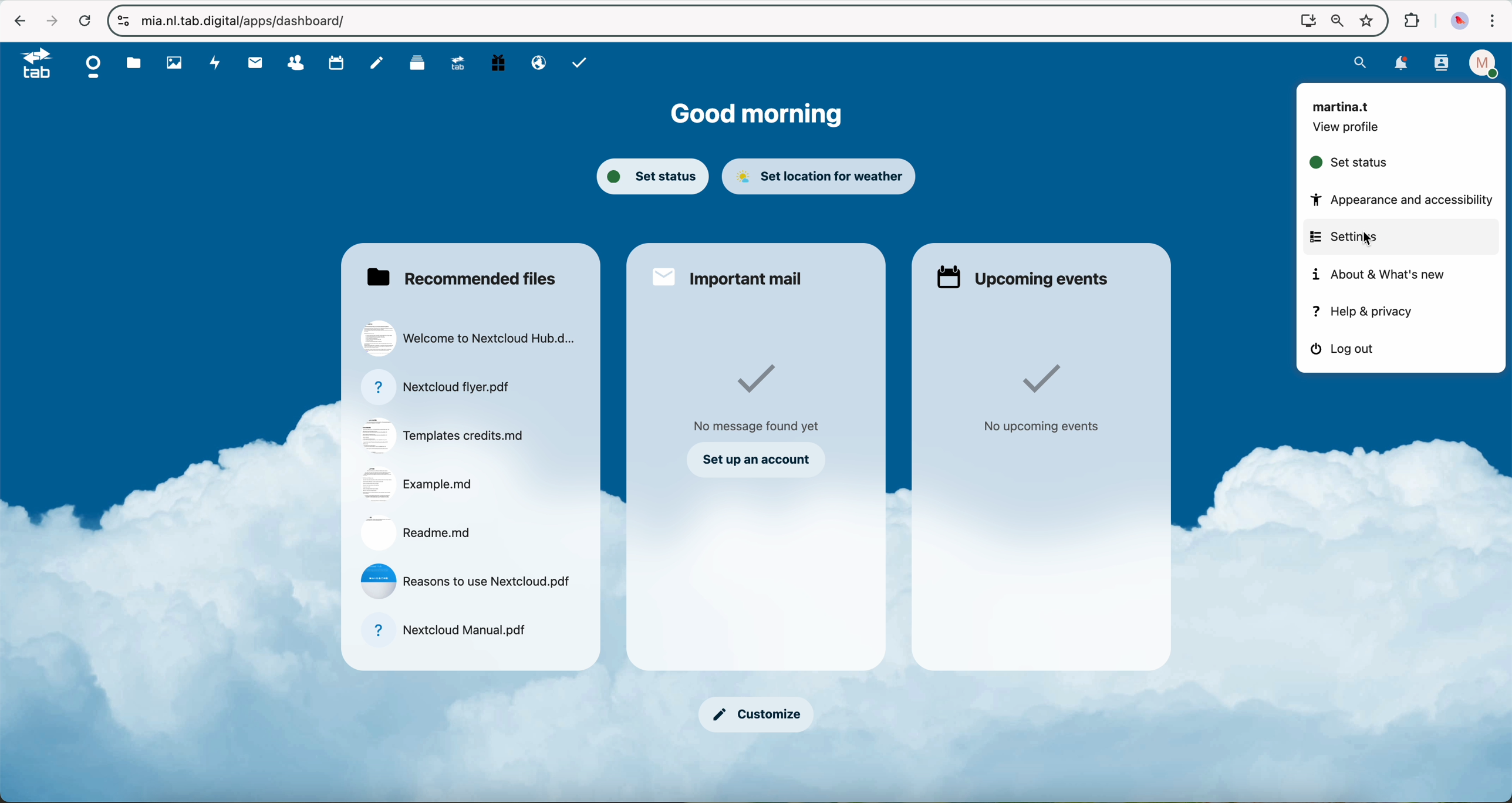 The width and height of the screenshot is (1512, 803). I want to click on set location for weather, so click(822, 177).